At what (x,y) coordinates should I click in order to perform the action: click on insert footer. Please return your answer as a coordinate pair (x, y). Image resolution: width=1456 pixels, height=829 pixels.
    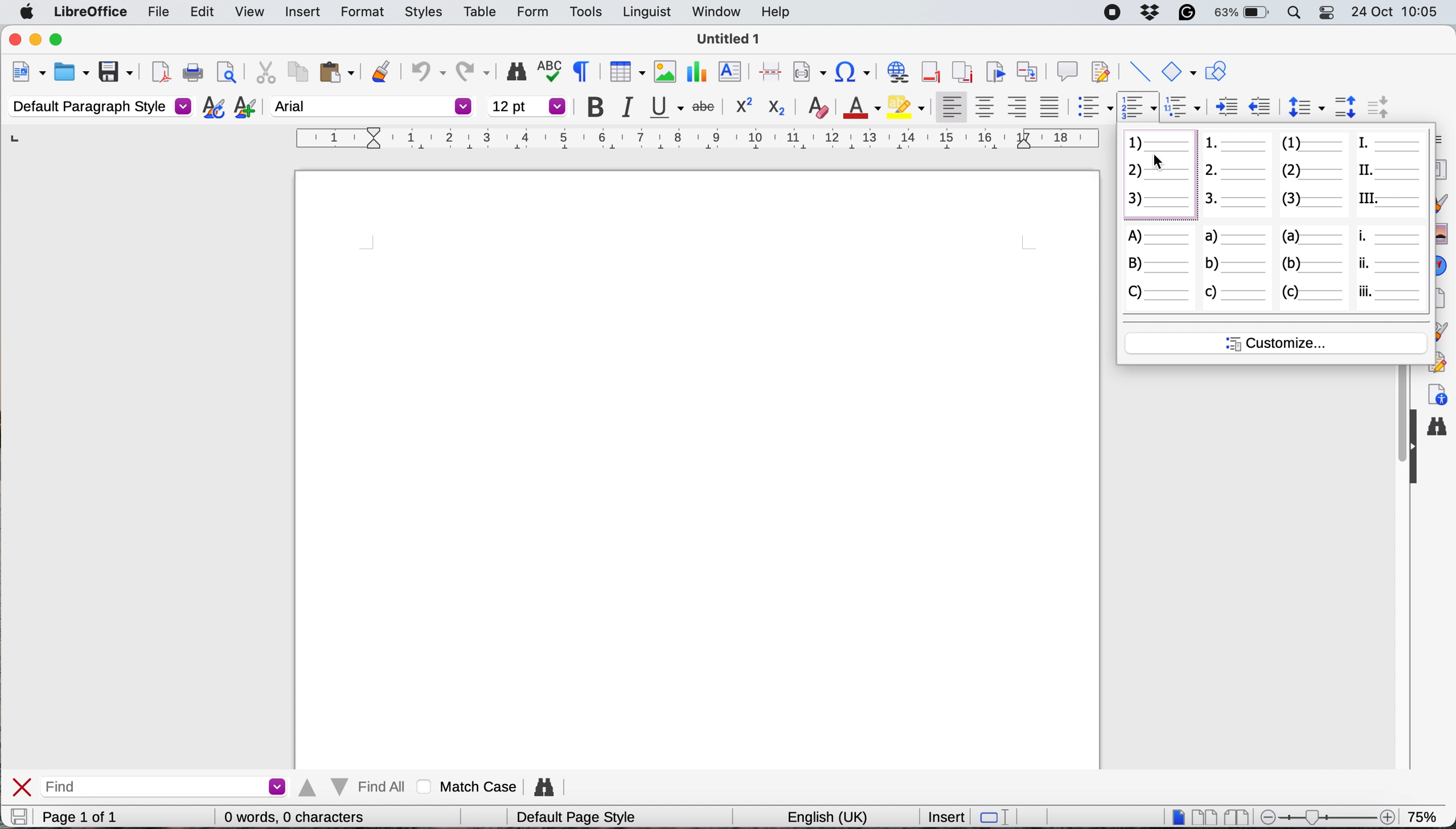
    Looking at the image, I should click on (932, 71).